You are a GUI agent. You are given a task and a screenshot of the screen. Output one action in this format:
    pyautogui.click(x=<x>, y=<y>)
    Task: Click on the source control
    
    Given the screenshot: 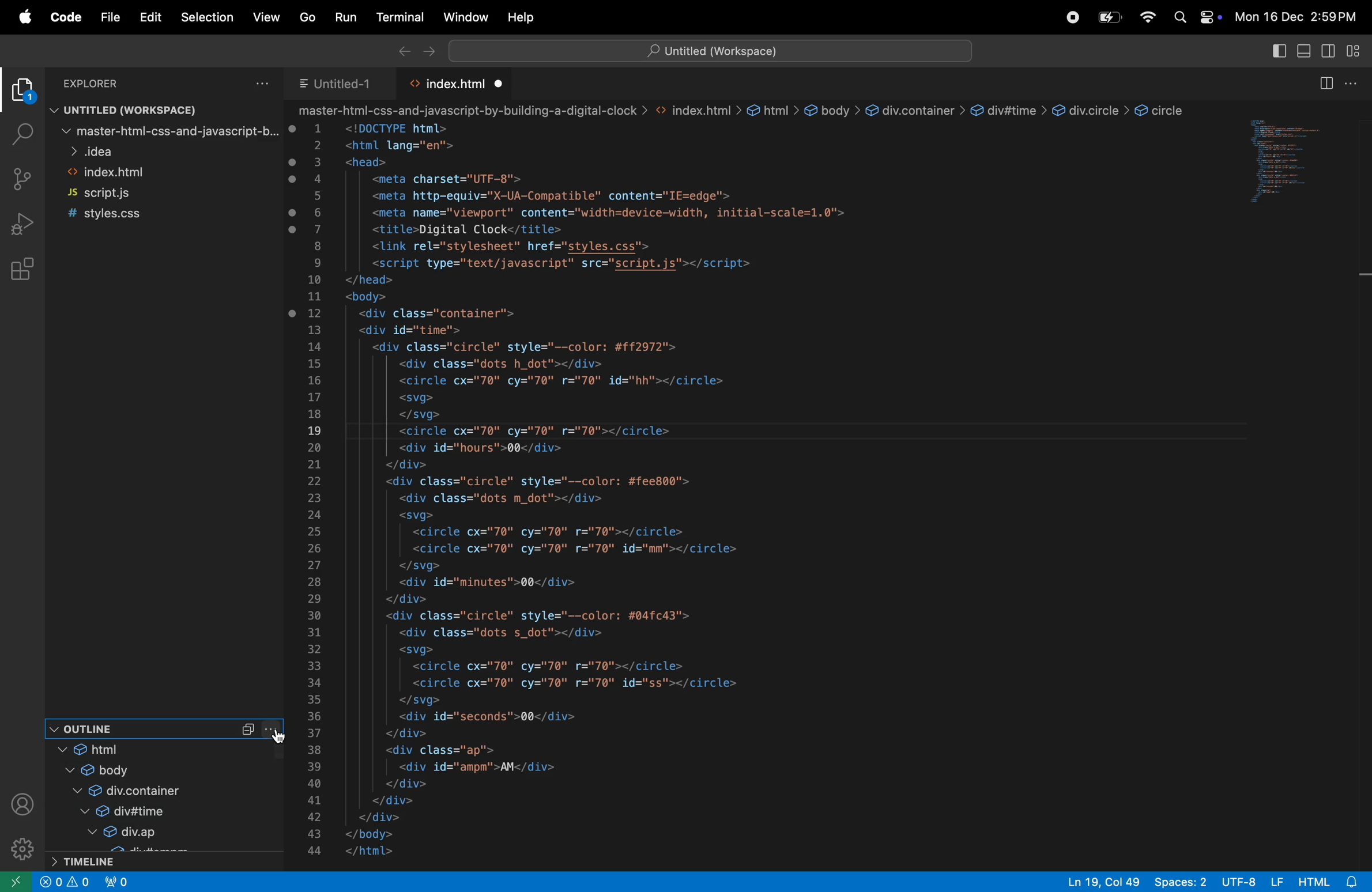 What is the action you would take?
    pyautogui.click(x=22, y=177)
    